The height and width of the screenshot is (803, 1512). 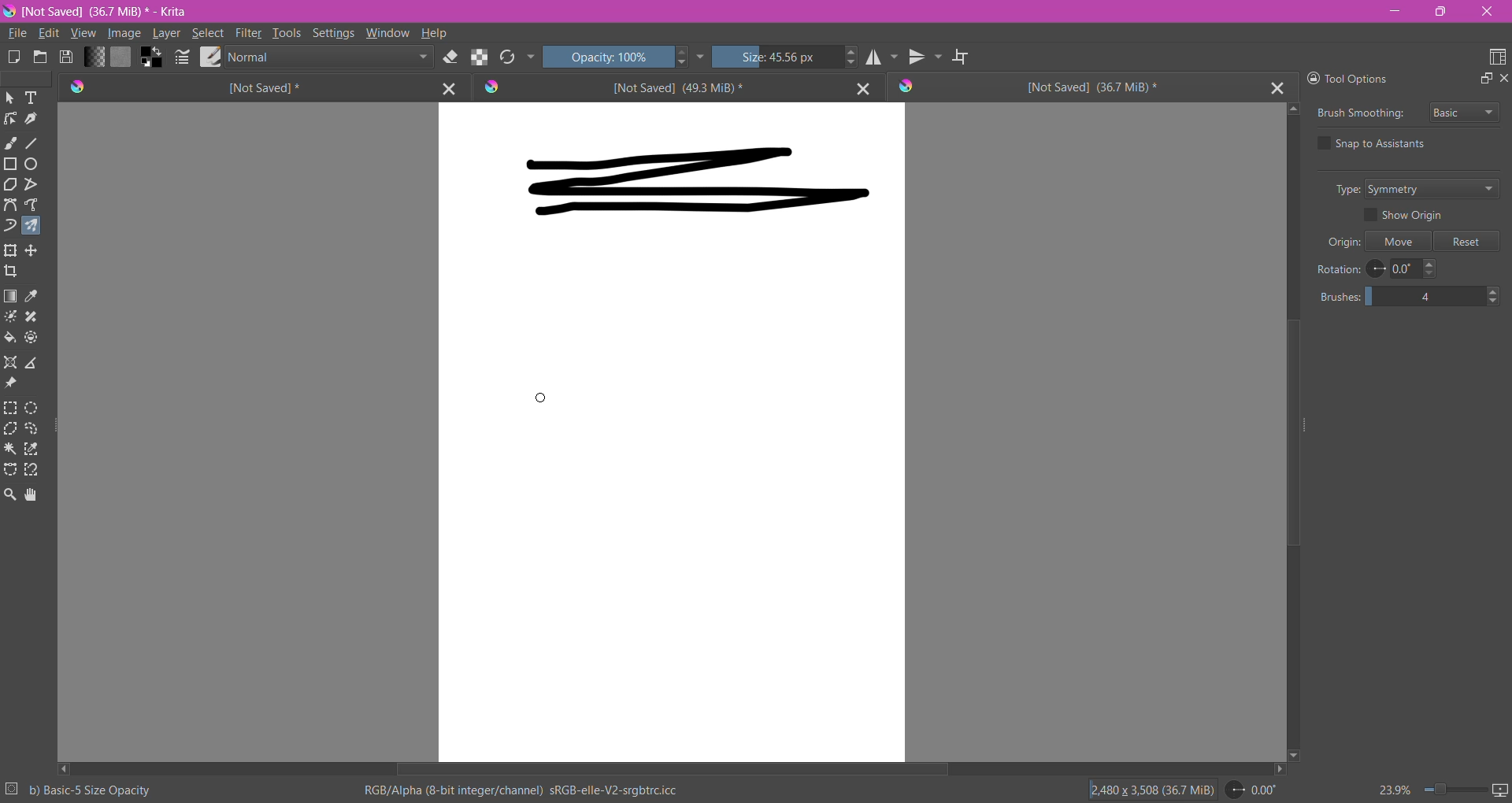 What do you see at coordinates (33, 164) in the screenshot?
I see `Ellipse Tool` at bounding box center [33, 164].